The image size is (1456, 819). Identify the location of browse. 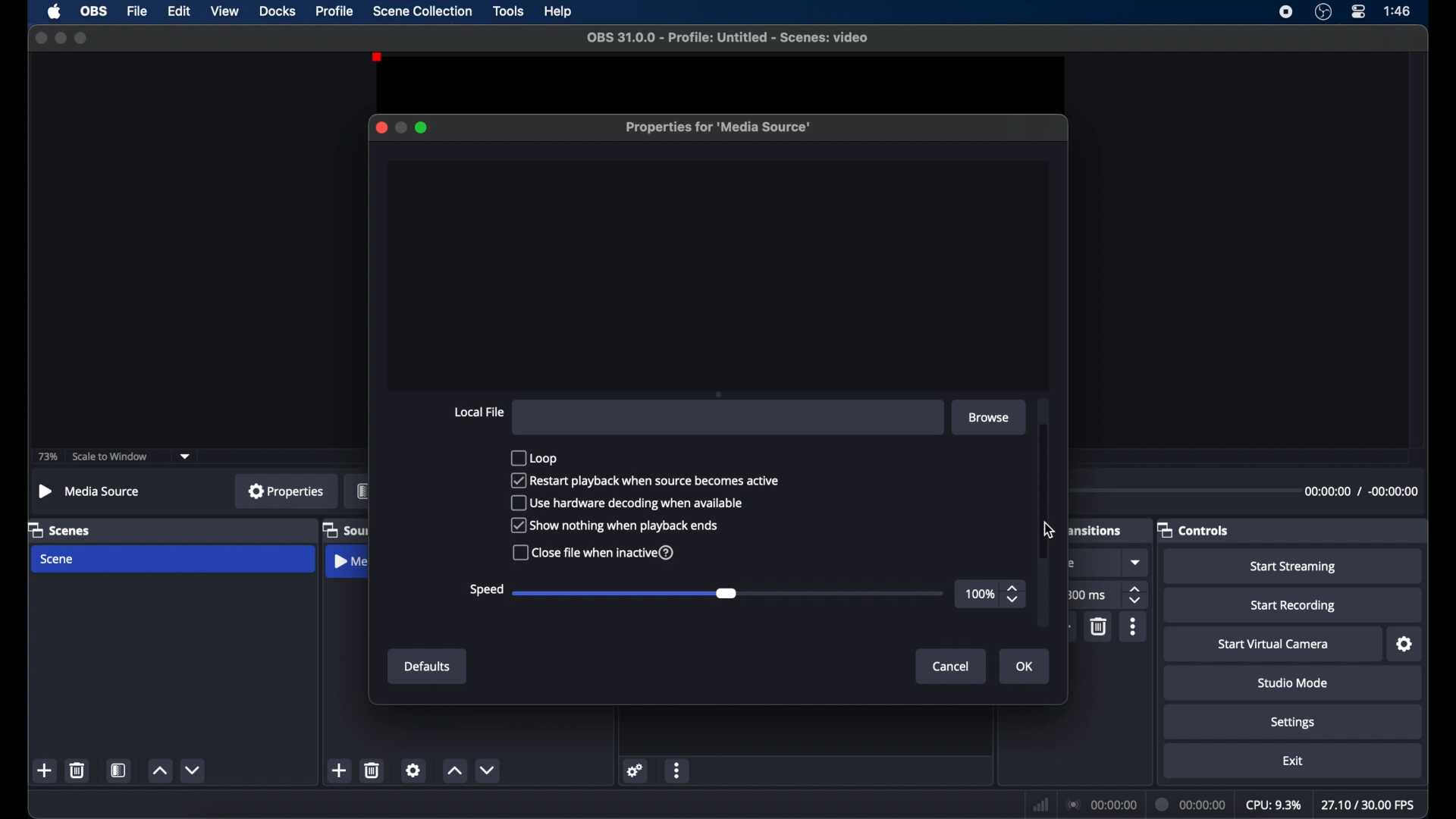
(989, 418).